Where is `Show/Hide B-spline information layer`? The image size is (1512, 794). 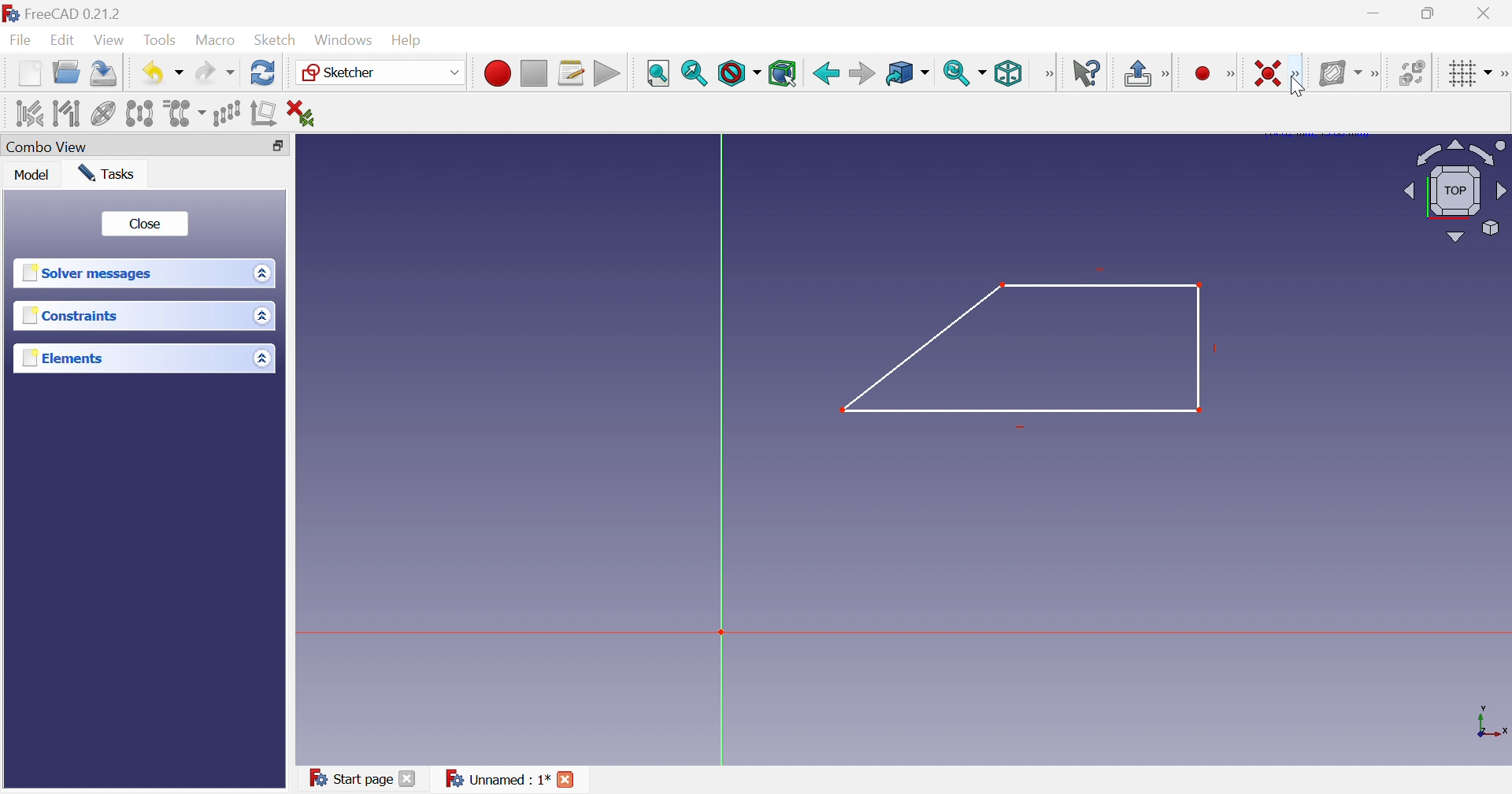
Show/Hide B-spline information layer is located at coordinates (1336, 72).